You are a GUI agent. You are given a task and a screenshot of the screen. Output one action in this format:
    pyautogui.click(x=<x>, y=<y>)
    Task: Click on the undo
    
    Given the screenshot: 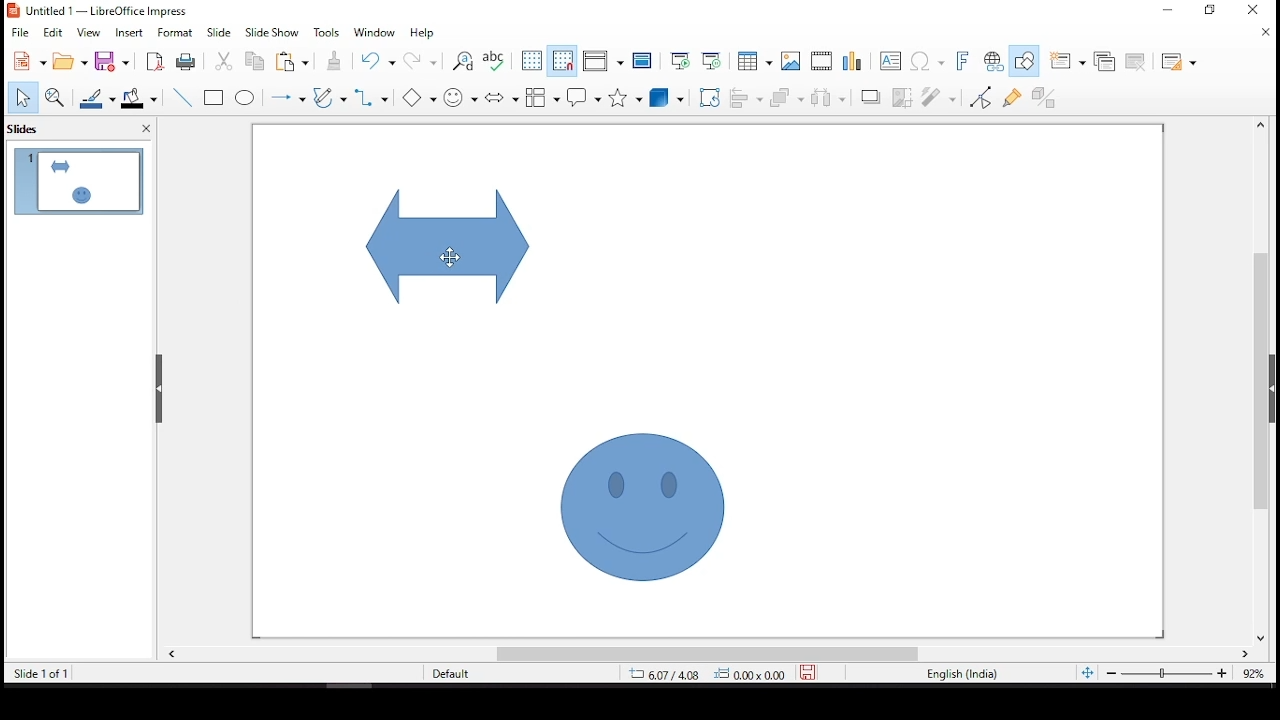 What is the action you would take?
    pyautogui.click(x=379, y=62)
    